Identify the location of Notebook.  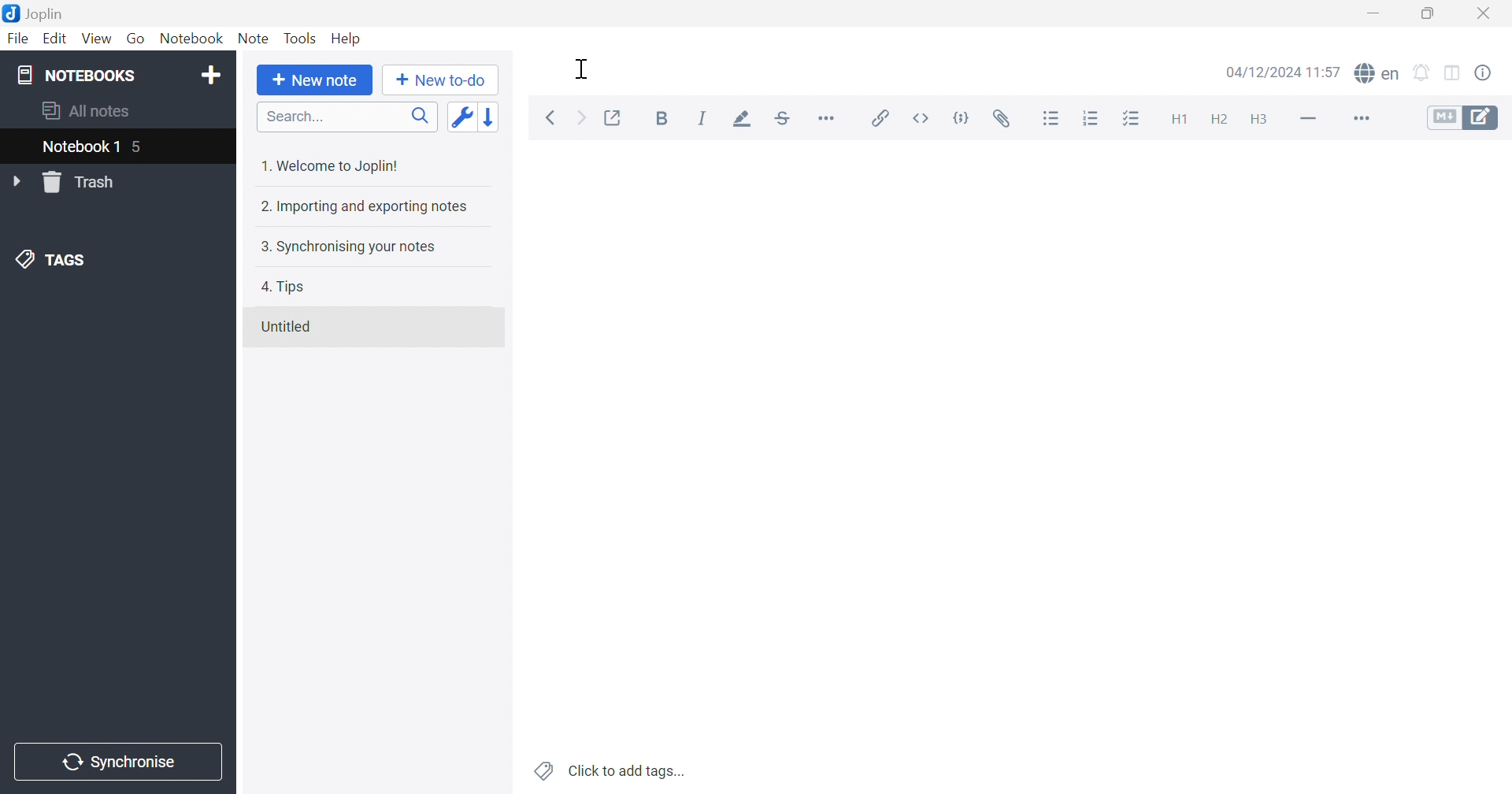
(191, 38).